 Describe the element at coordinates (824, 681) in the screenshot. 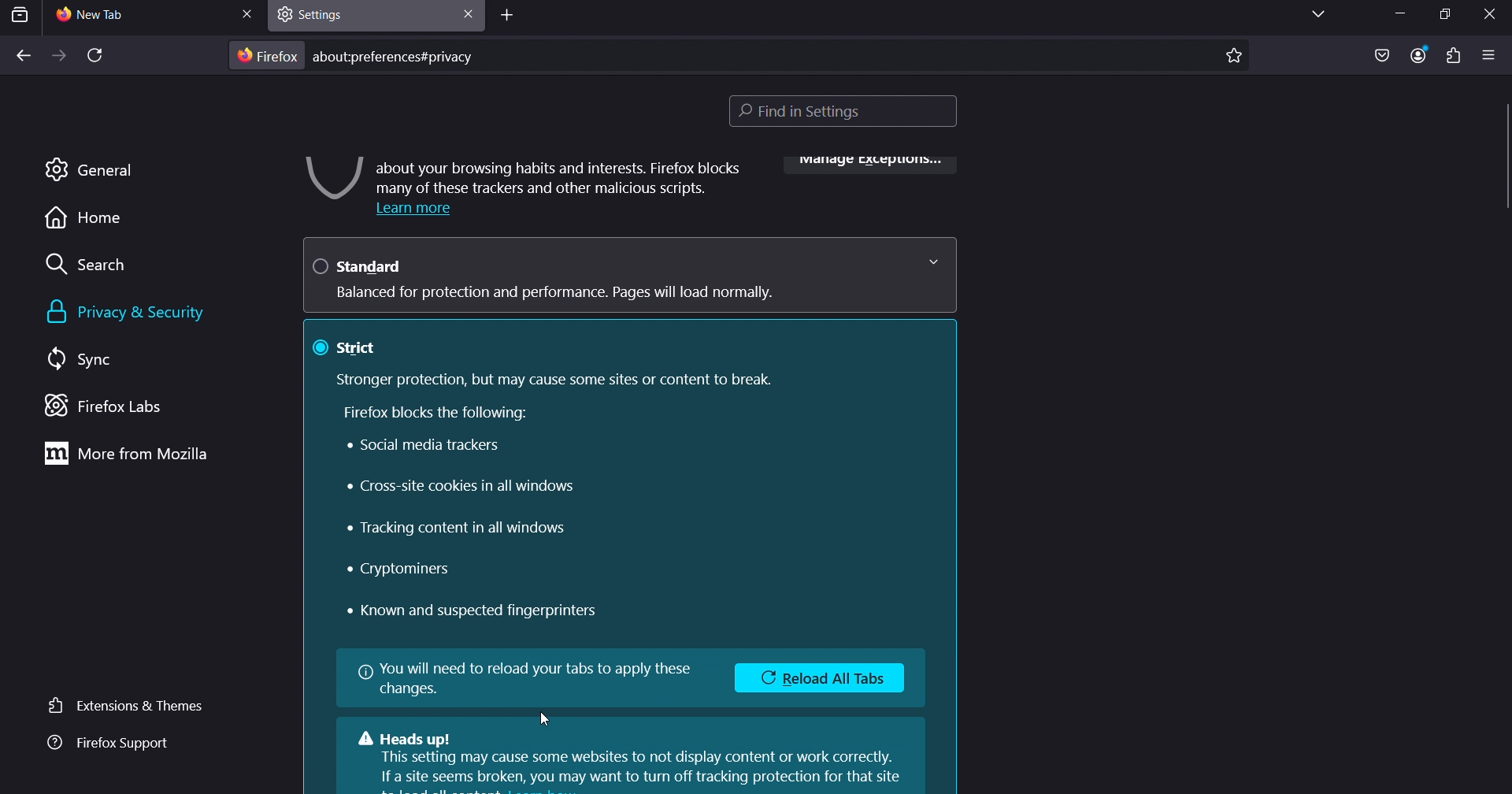

I see `Reload All Tabs` at that location.